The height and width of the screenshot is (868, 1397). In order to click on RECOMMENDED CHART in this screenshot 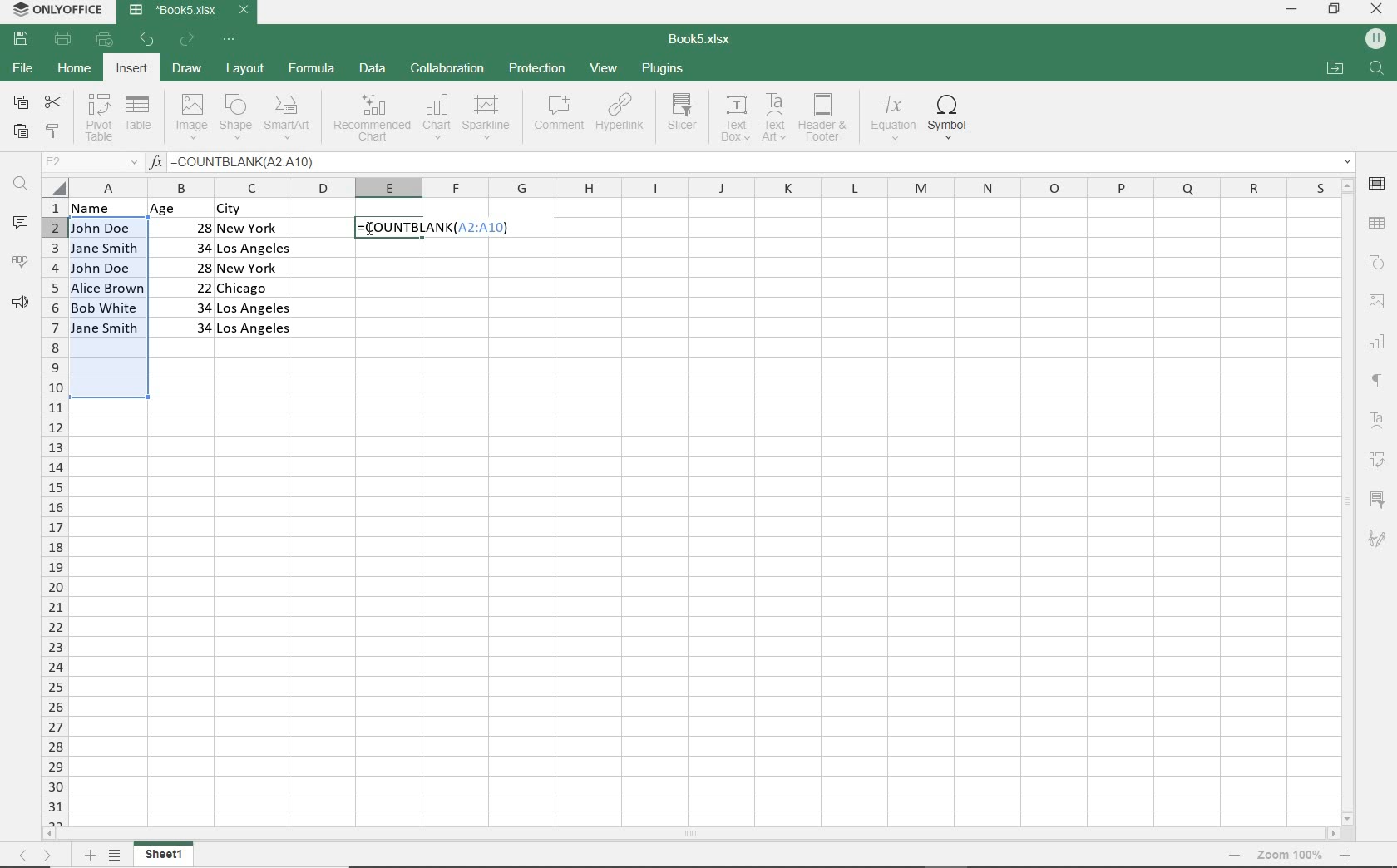, I will do `click(371, 120)`.